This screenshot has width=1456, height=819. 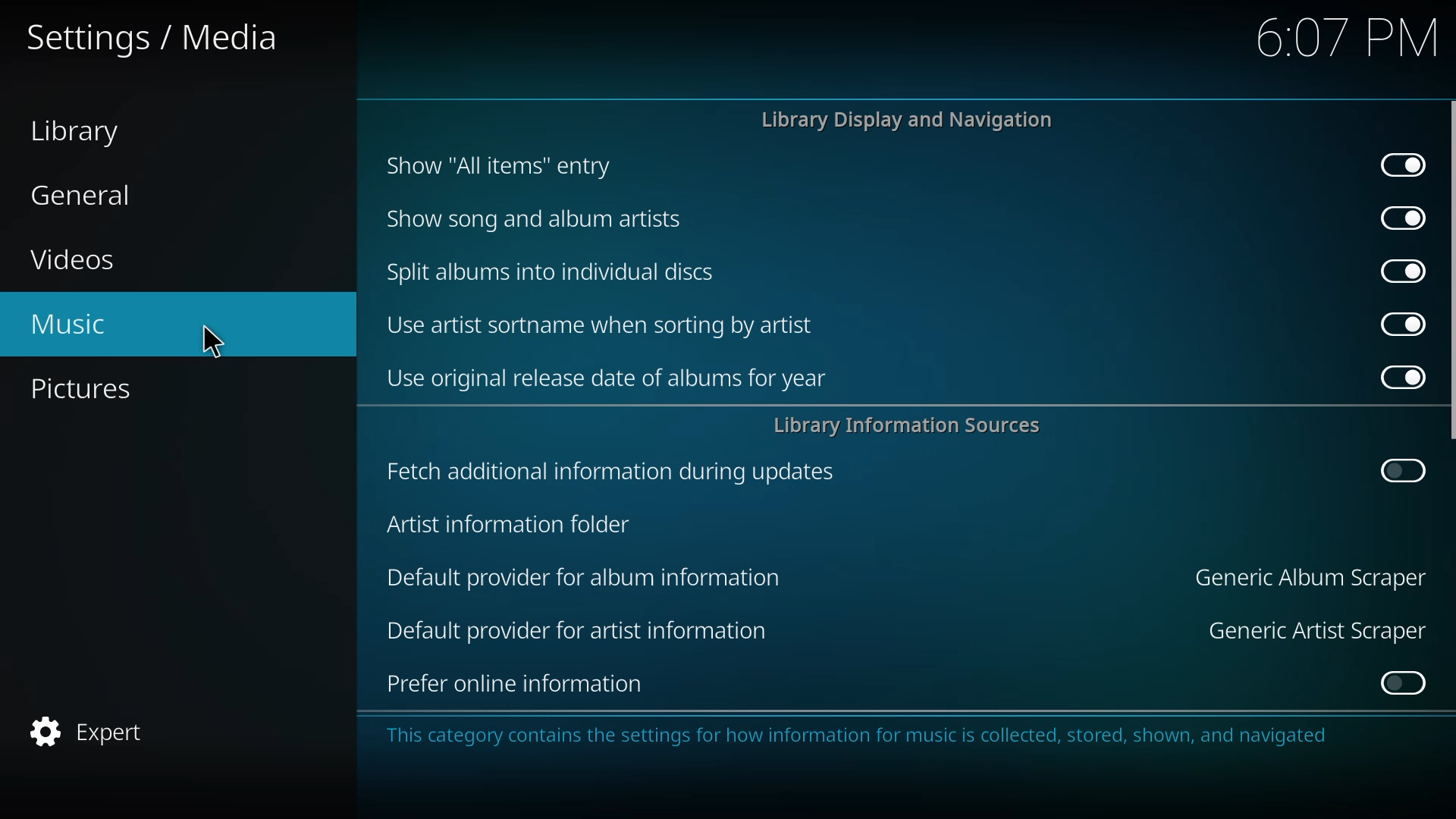 What do you see at coordinates (83, 129) in the screenshot?
I see `library` at bounding box center [83, 129].